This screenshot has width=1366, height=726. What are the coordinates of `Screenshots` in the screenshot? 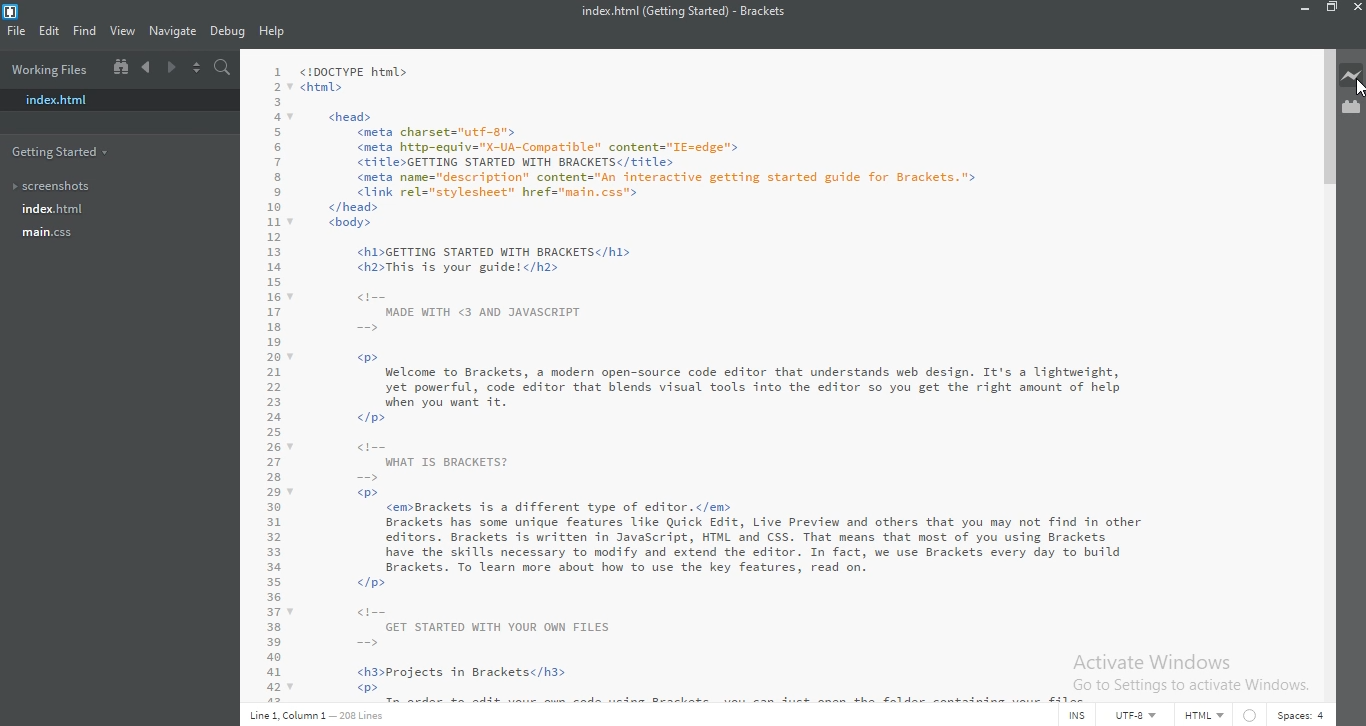 It's located at (58, 188).